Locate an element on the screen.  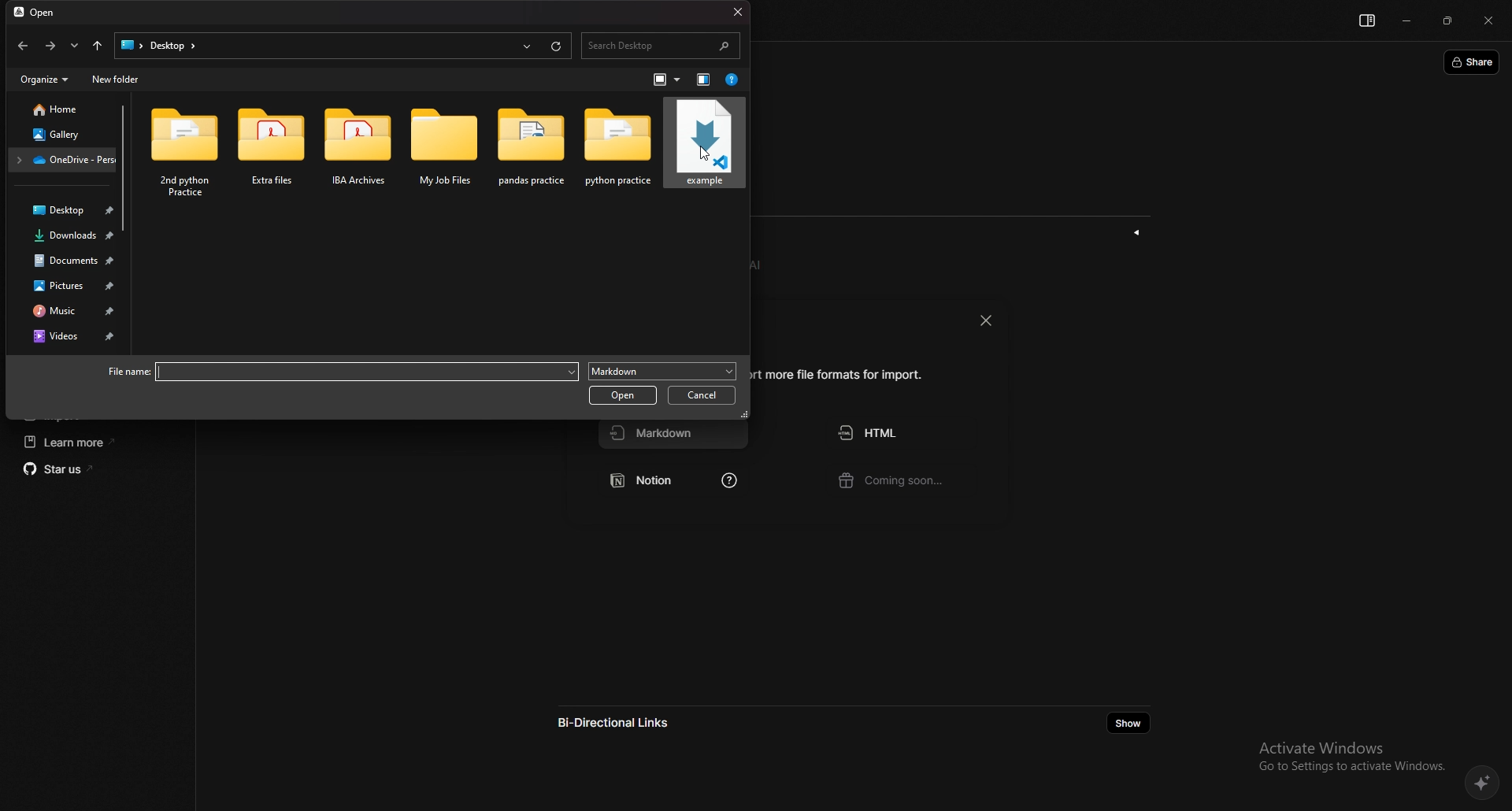
coming soon is located at coordinates (903, 483).